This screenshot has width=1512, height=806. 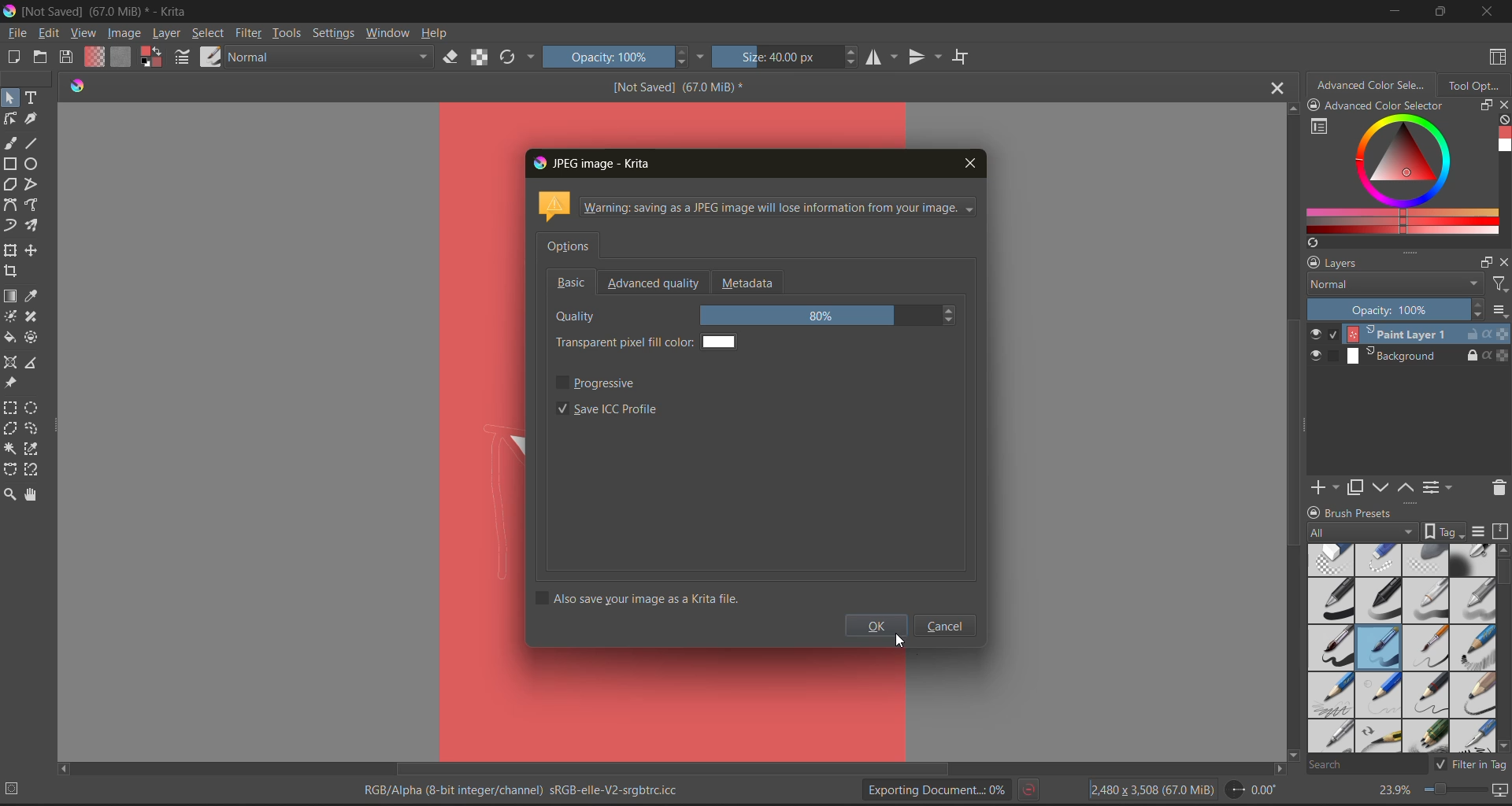 I want to click on display settings, so click(x=1481, y=532).